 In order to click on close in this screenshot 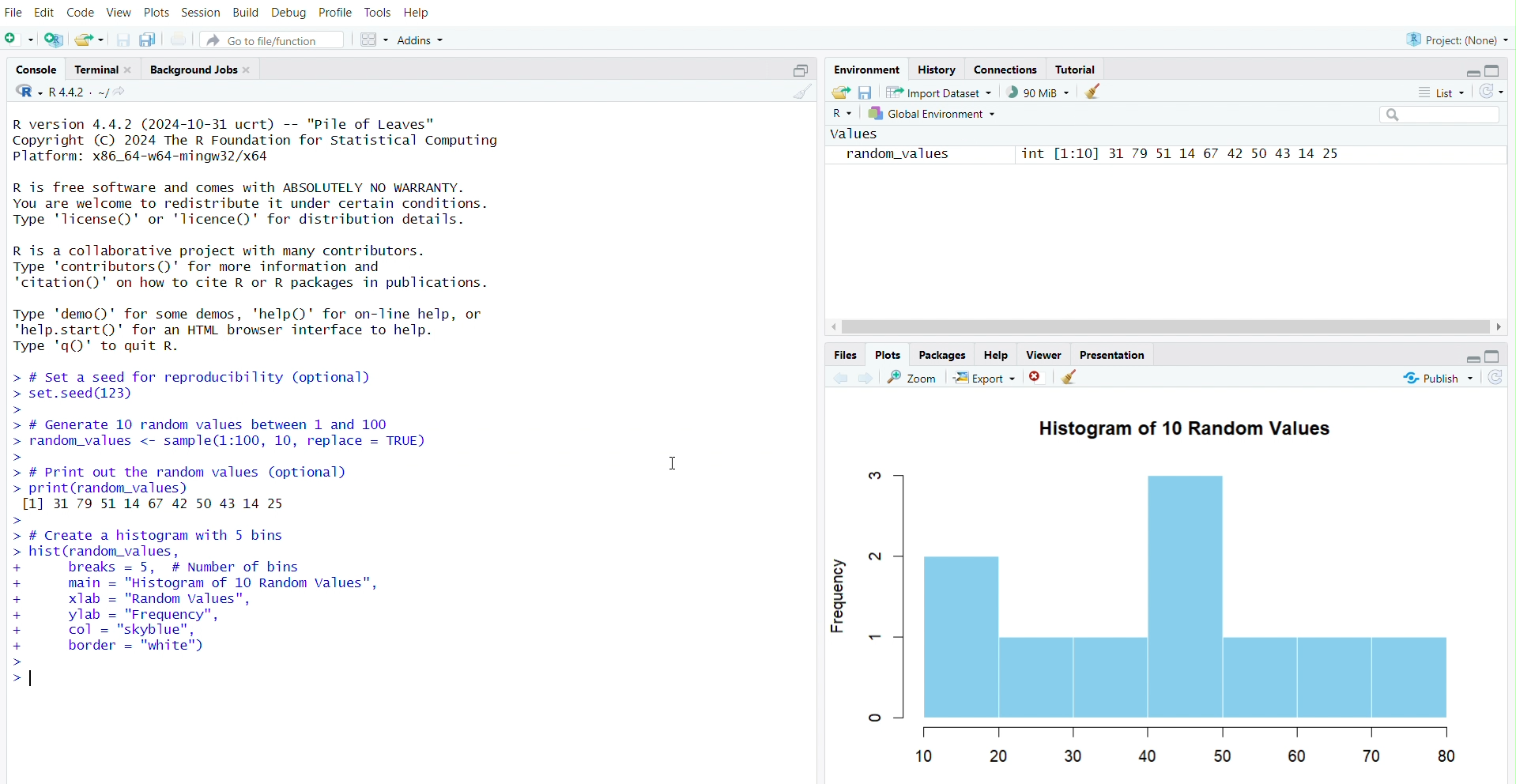, I will do `click(251, 72)`.